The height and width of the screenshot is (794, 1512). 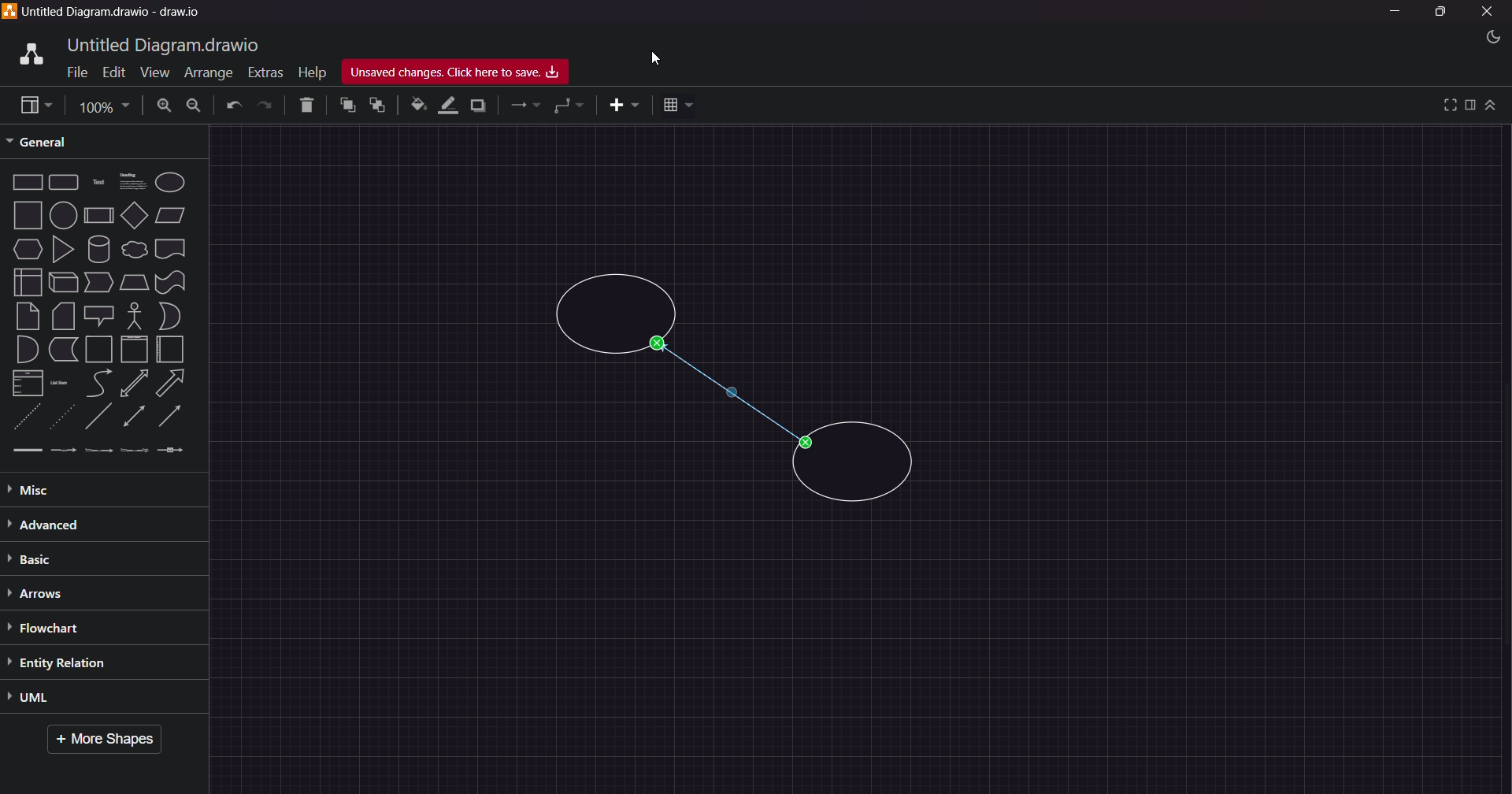 What do you see at coordinates (618, 106) in the screenshot?
I see `insert` at bounding box center [618, 106].